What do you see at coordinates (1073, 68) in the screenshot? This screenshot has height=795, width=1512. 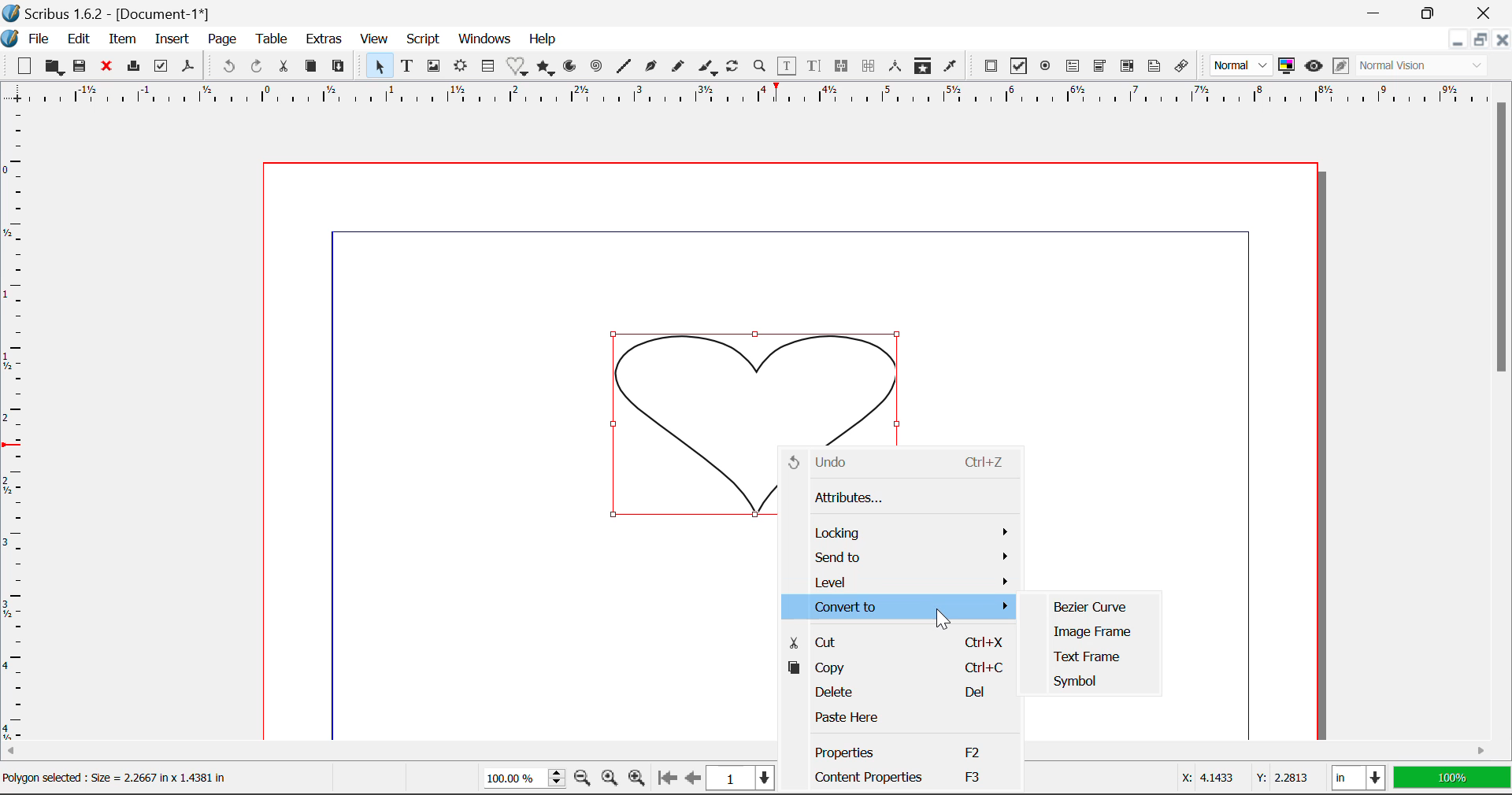 I see `Pdf Text Field` at bounding box center [1073, 68].